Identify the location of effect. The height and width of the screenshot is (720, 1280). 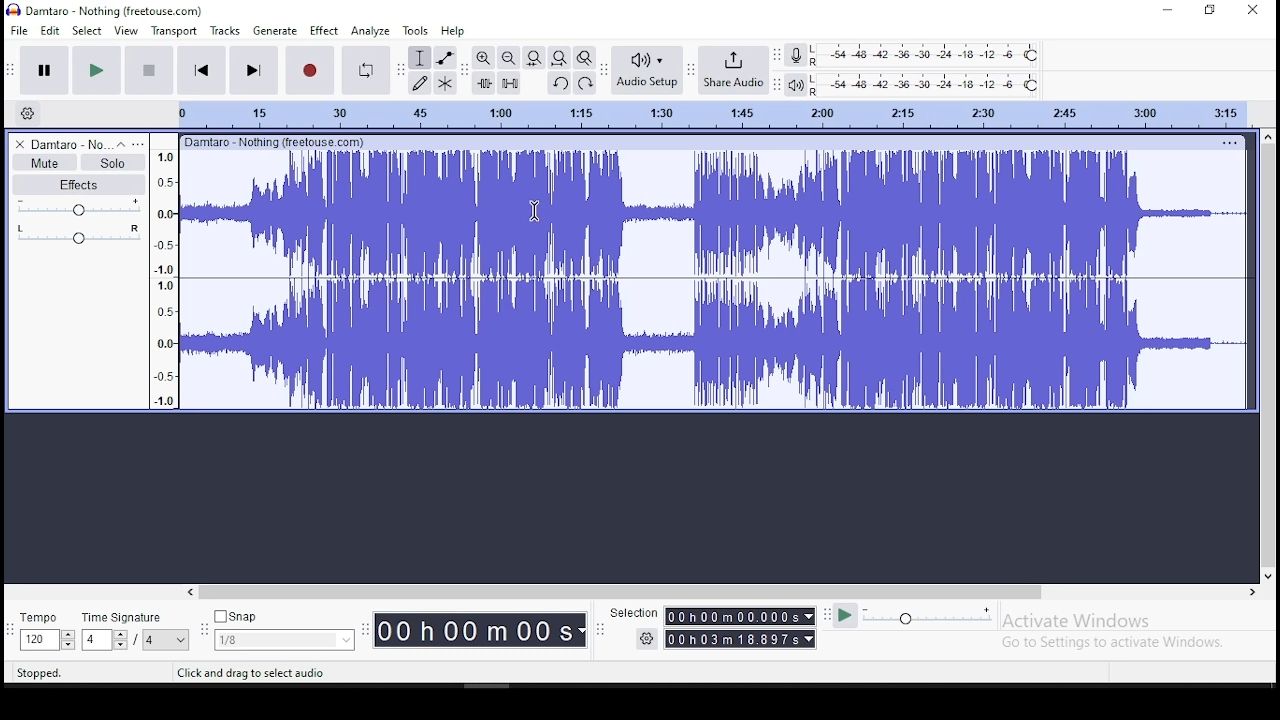
(325, 30).